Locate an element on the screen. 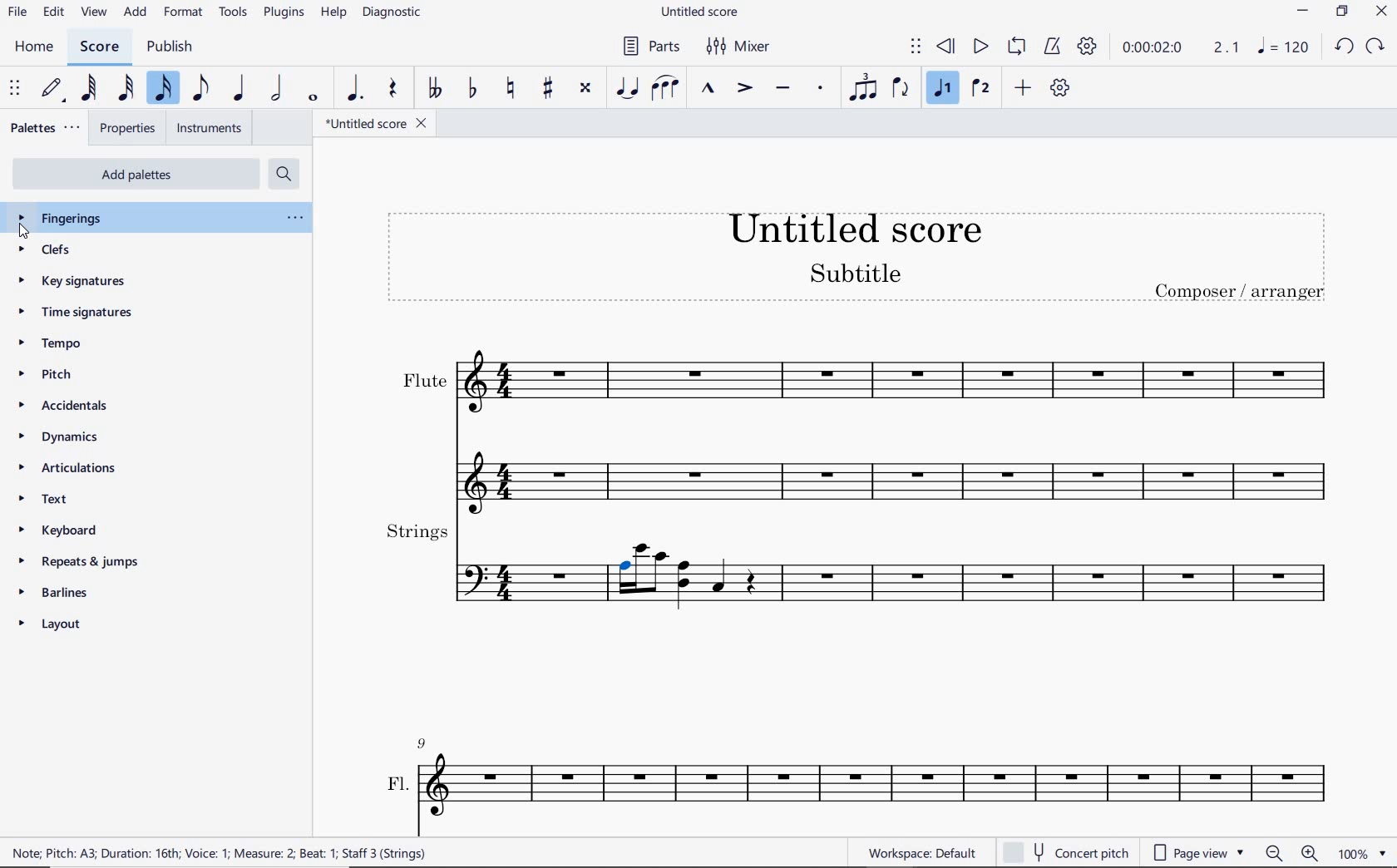 This screenshot has width=1397, height=868. zoom out or zoom in is located at coordinates (1292, 852).